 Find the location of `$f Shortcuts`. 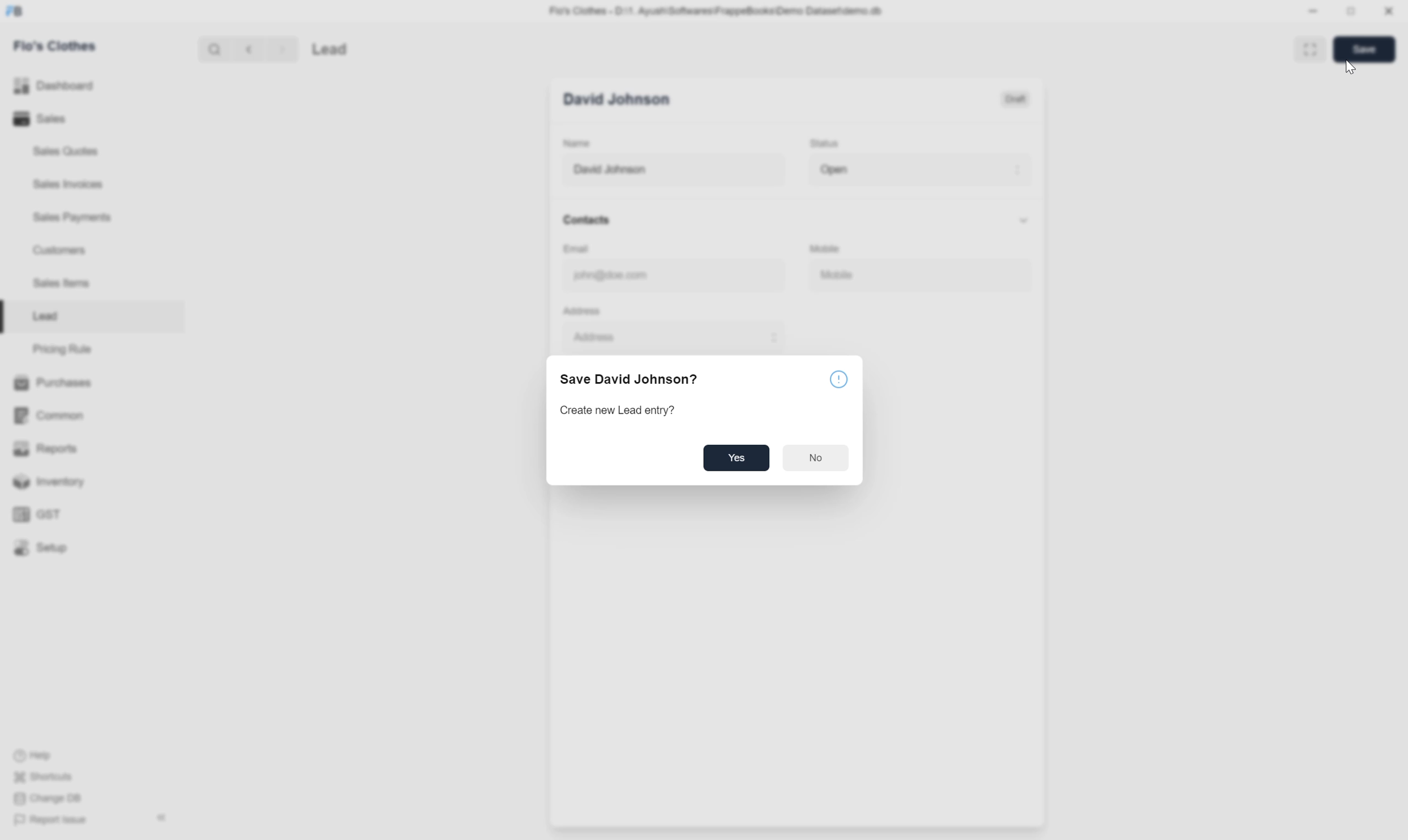

$f Shortcuts is located at coordinates (45, 775).